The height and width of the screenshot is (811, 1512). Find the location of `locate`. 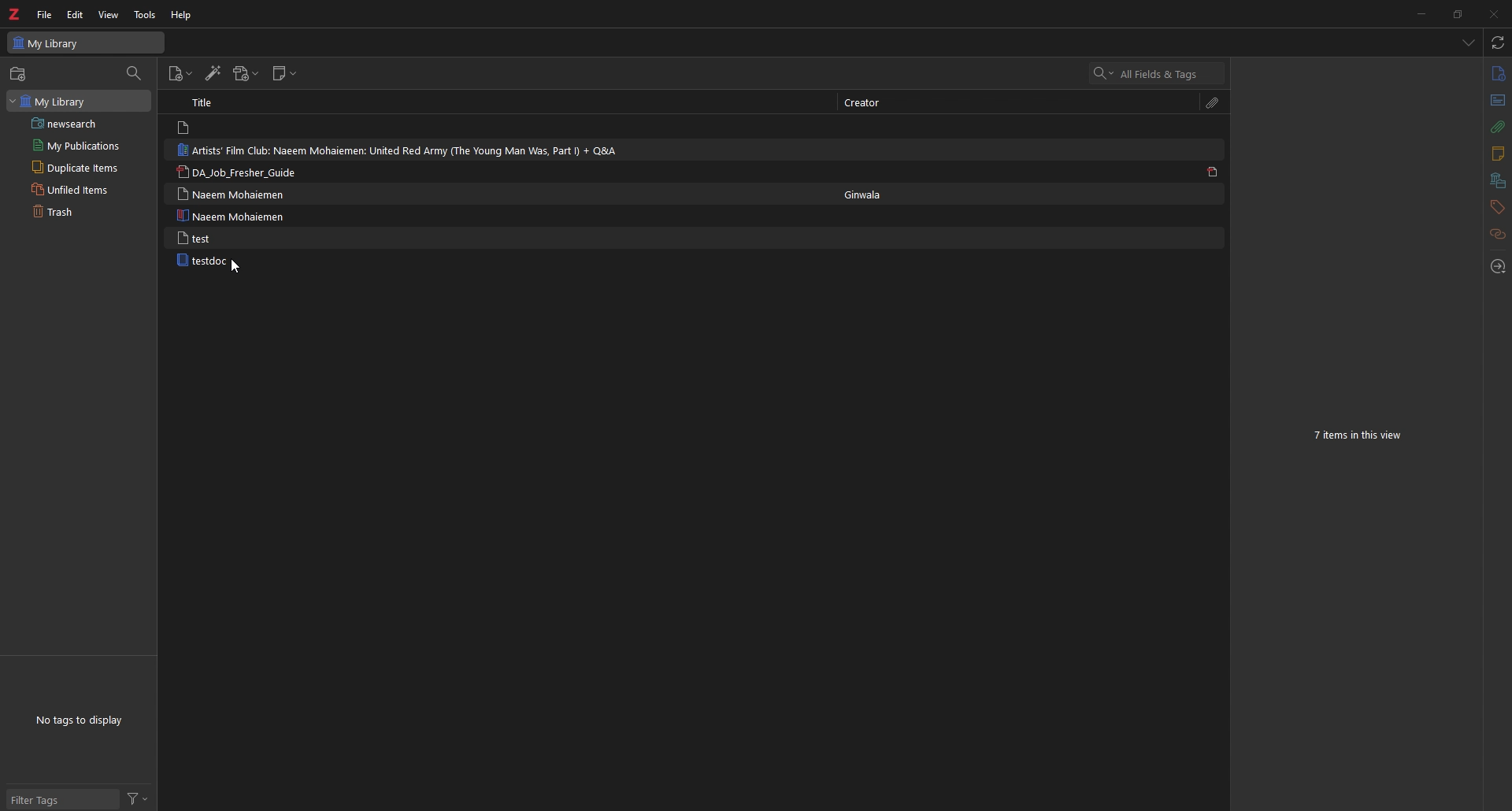

locate is located at coordinates (1499, 268).